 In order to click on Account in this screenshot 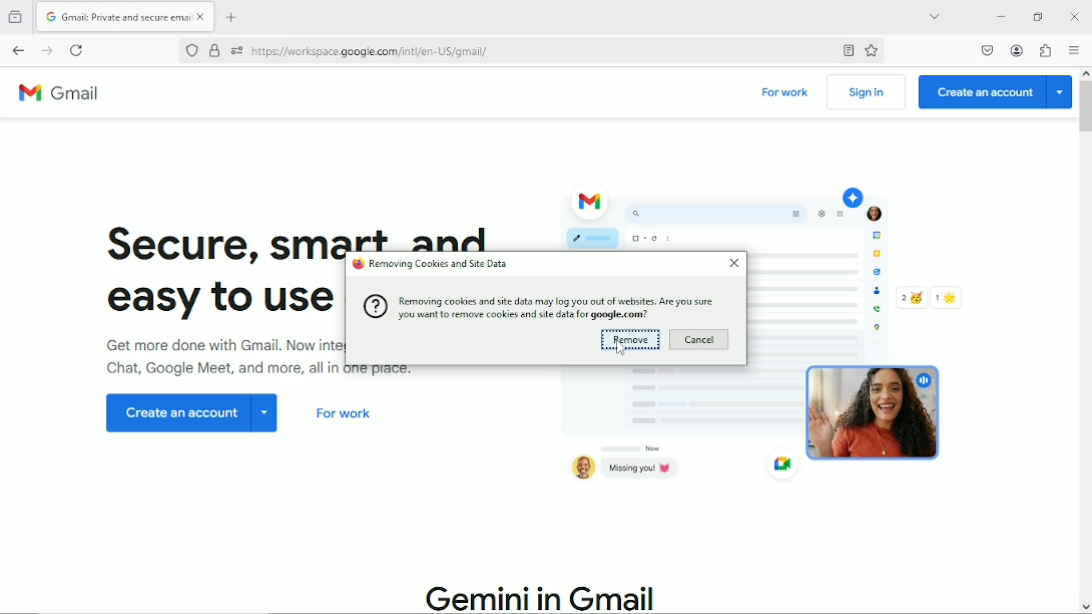, I will do `click(1019, 50)`.